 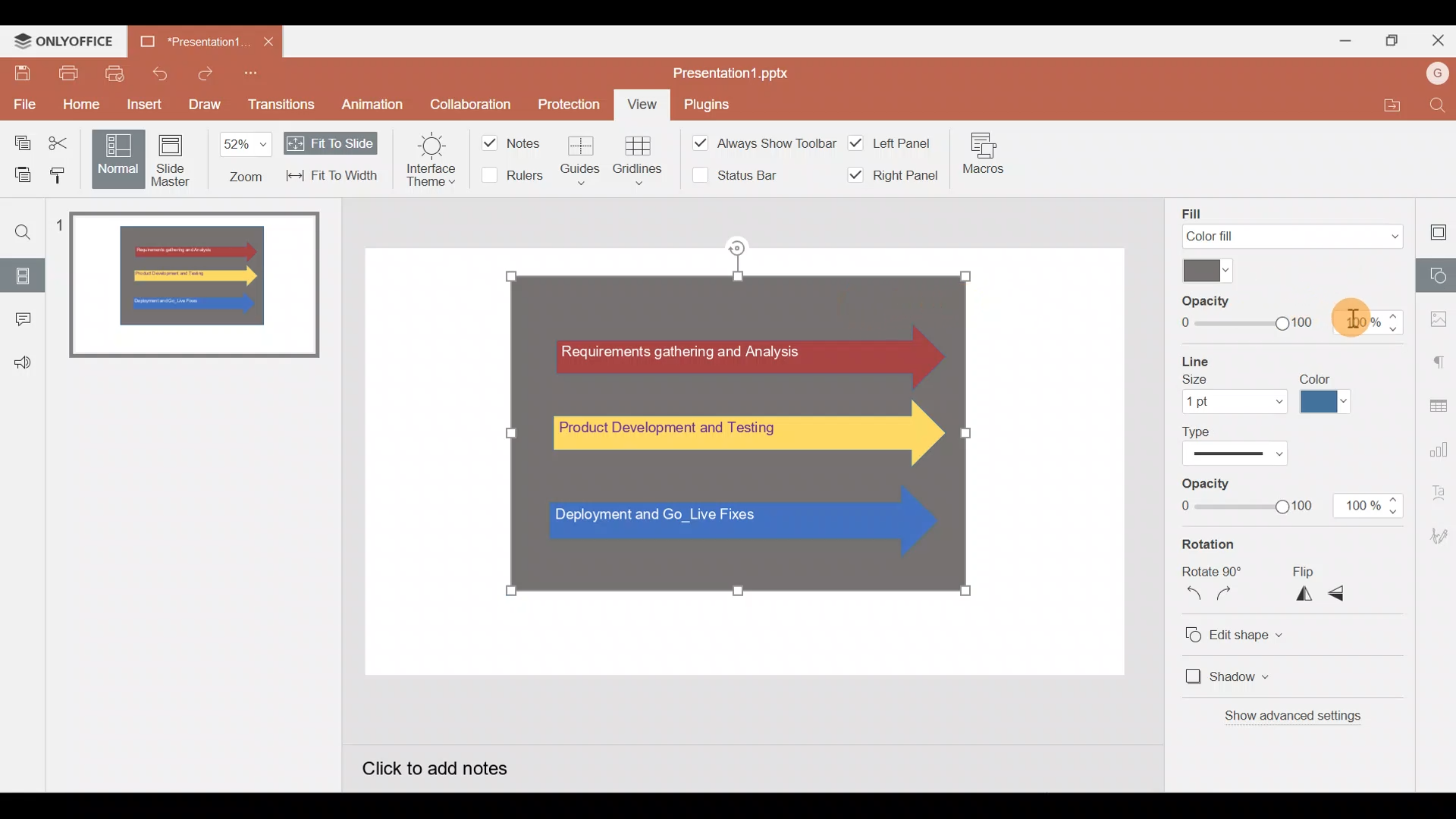 What do you see at coordinates (140, 102) in the screenshot?
I see `Insert` at bounding box center [140, 102].